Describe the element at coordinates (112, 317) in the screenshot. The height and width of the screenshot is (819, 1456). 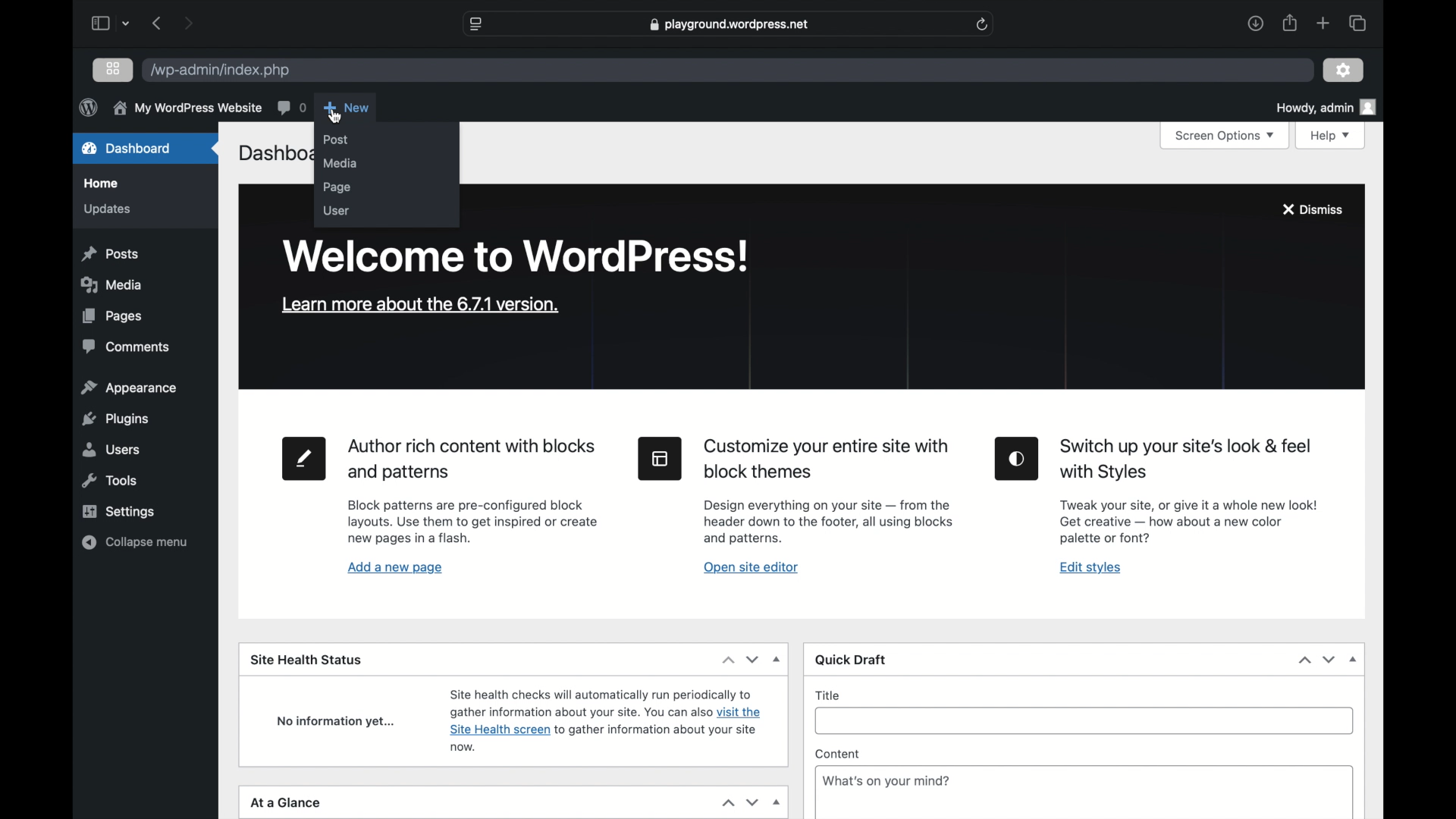
I see `pages` at that location.